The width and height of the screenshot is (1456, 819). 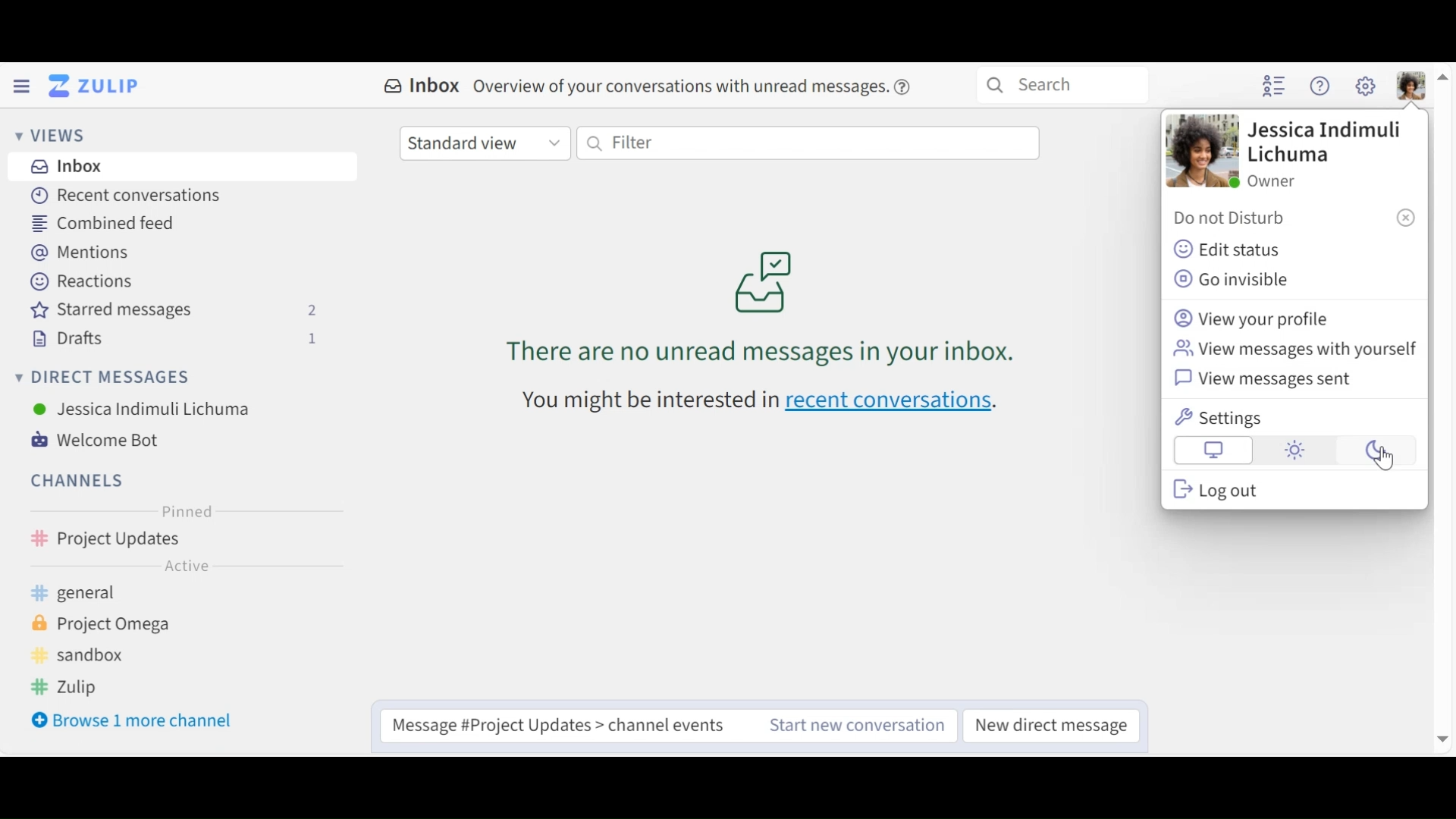 I want to click on Hide user list, so click(x=1275, y=87).